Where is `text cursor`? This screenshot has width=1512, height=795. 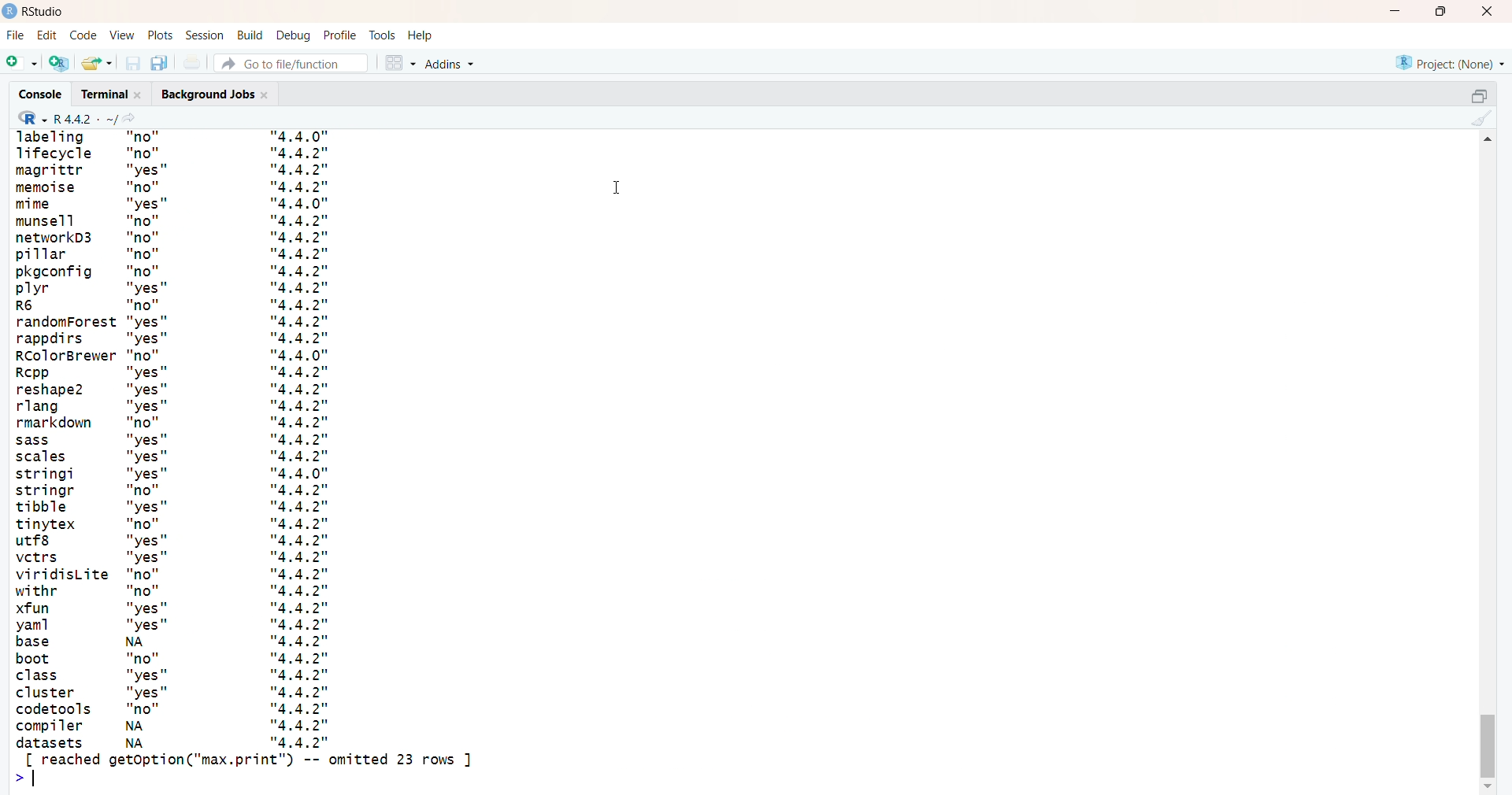
text cursor is located at coordinates (39, 782).